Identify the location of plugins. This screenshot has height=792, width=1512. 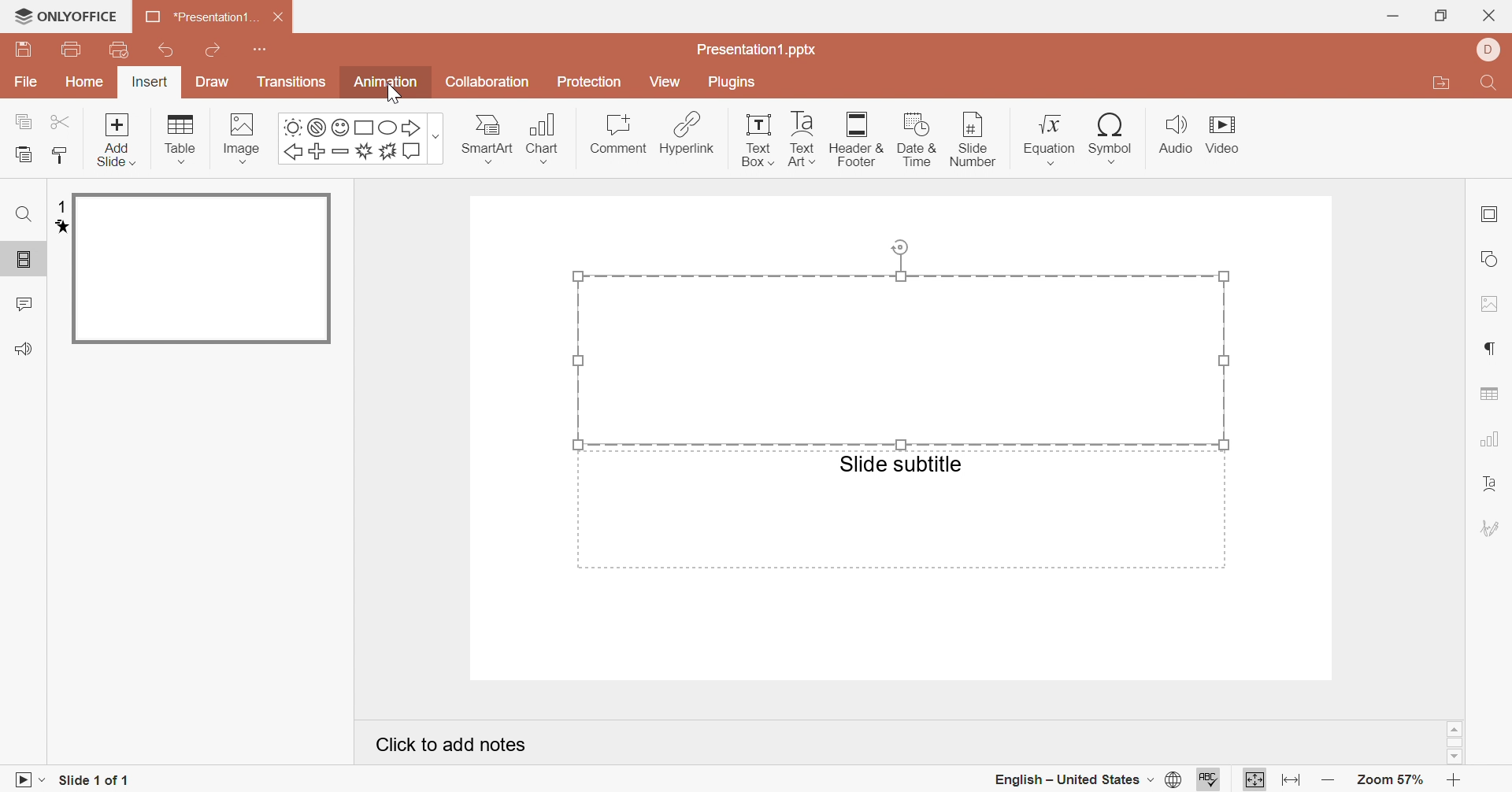
(732, 83).